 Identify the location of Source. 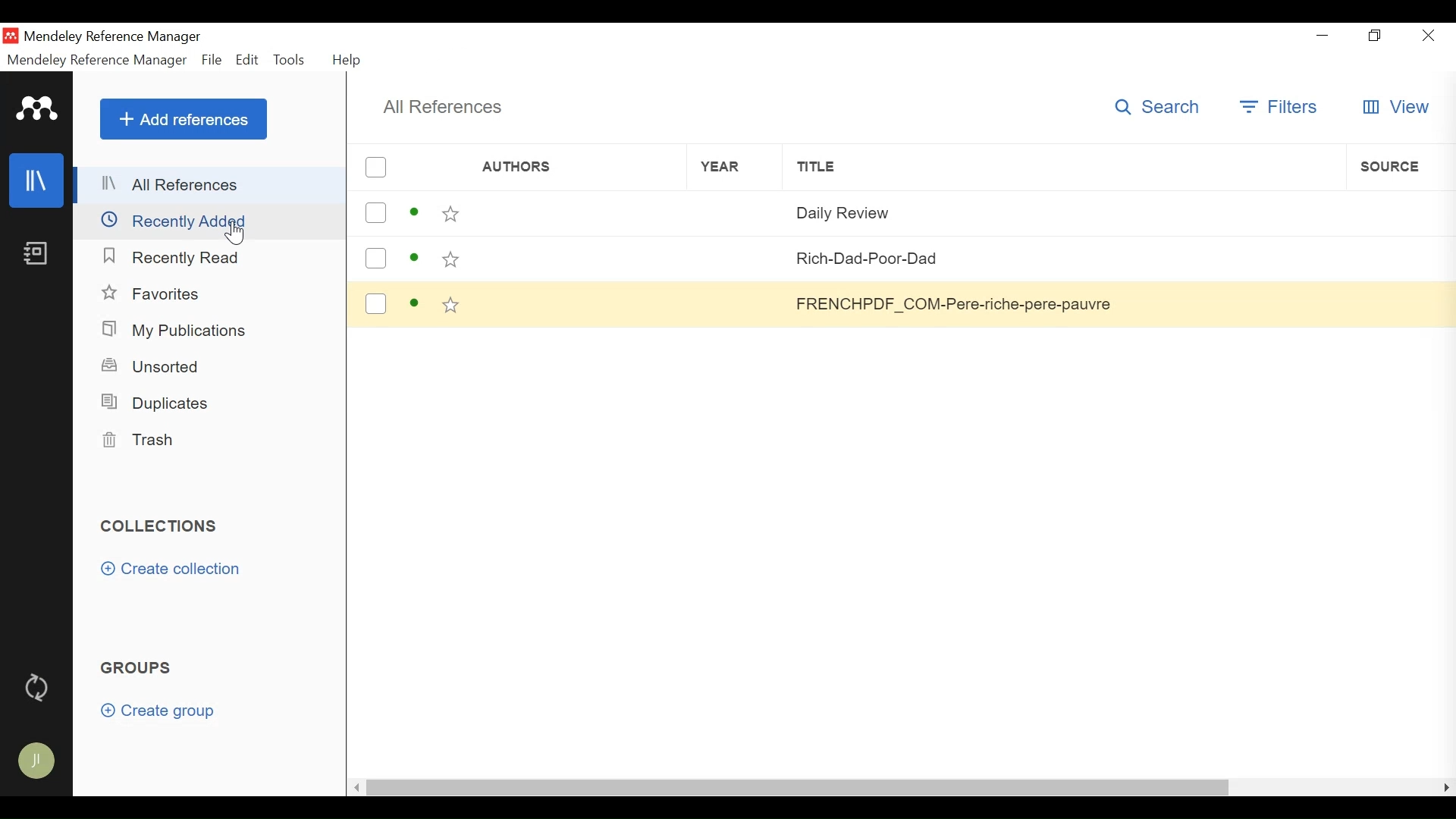
(1401, 166).